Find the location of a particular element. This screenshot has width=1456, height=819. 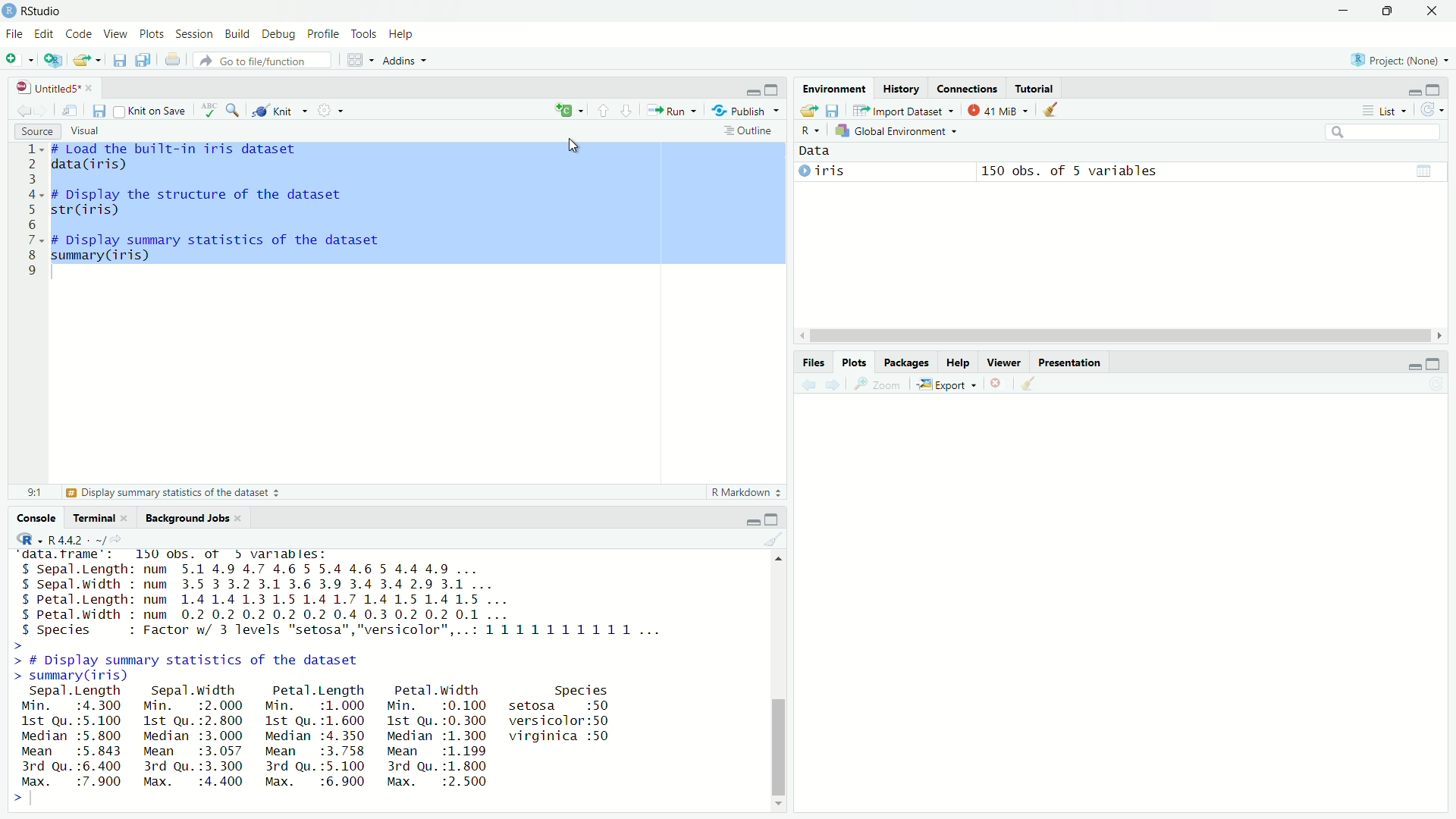

Maximize is located at coordinates (1389, 10).